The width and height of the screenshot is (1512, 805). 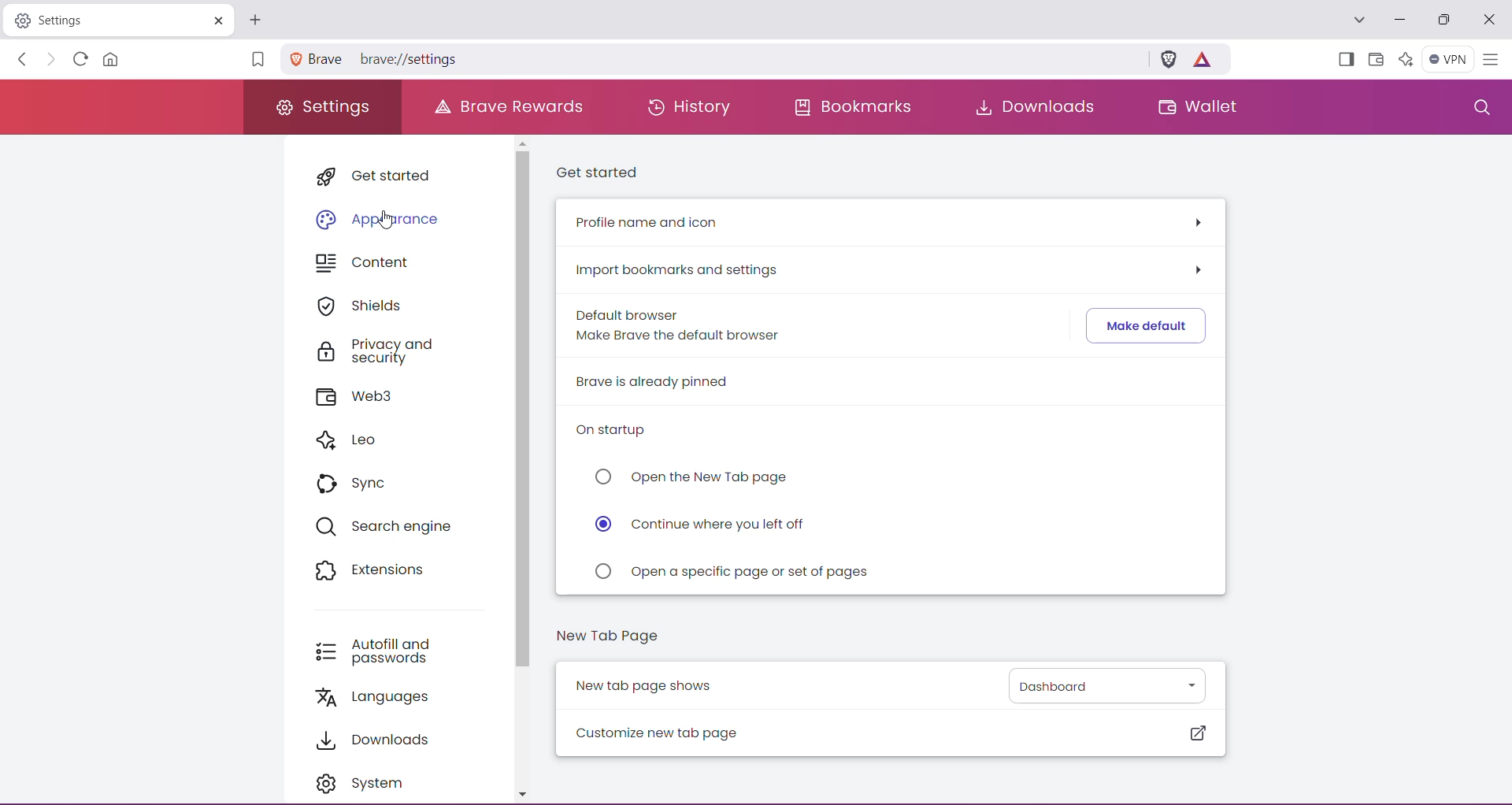 I want to click on Minimize, so click(x=1400, y=20).